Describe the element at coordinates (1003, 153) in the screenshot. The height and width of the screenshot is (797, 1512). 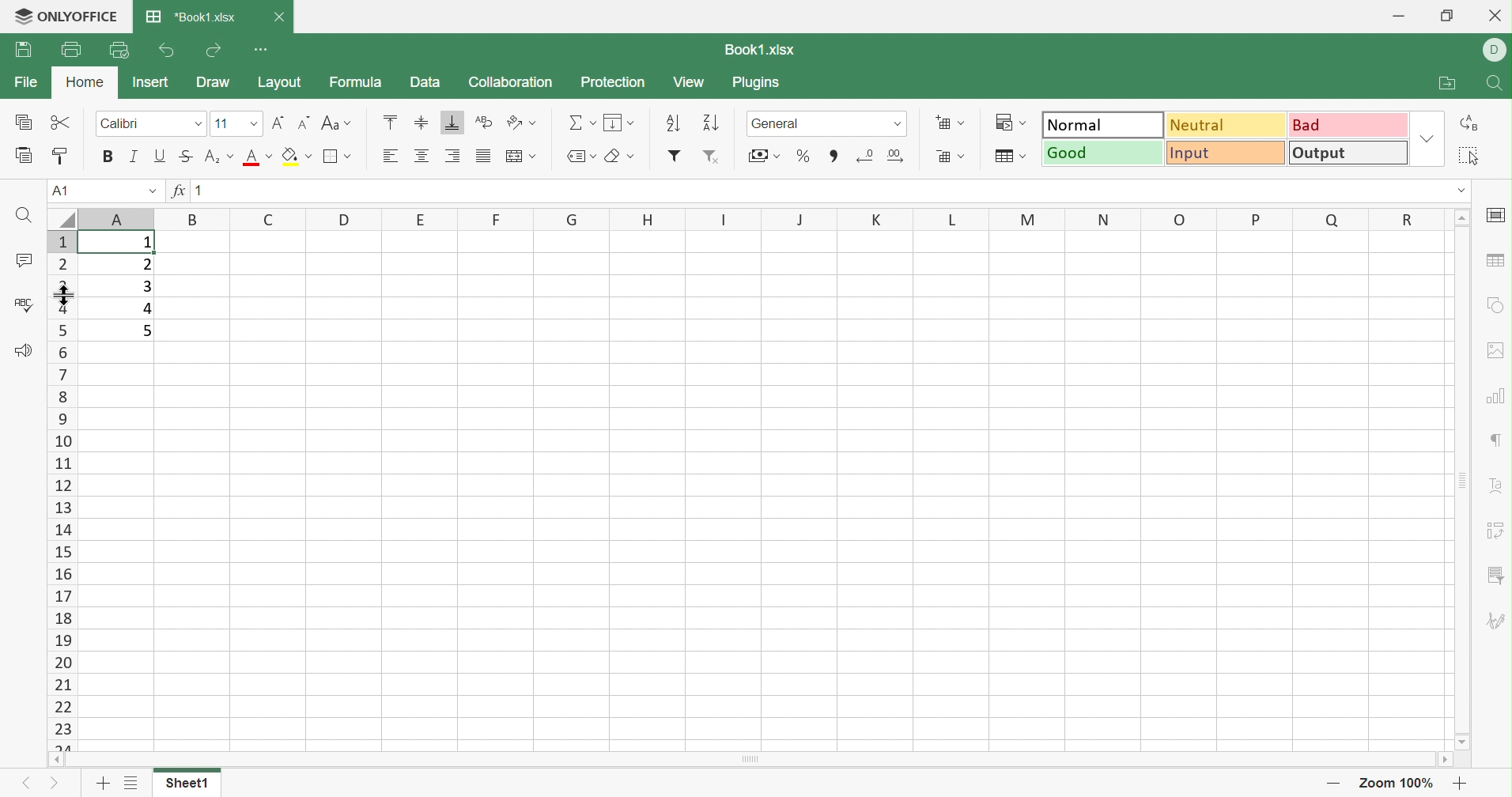
I see `Format as table template` at that location.